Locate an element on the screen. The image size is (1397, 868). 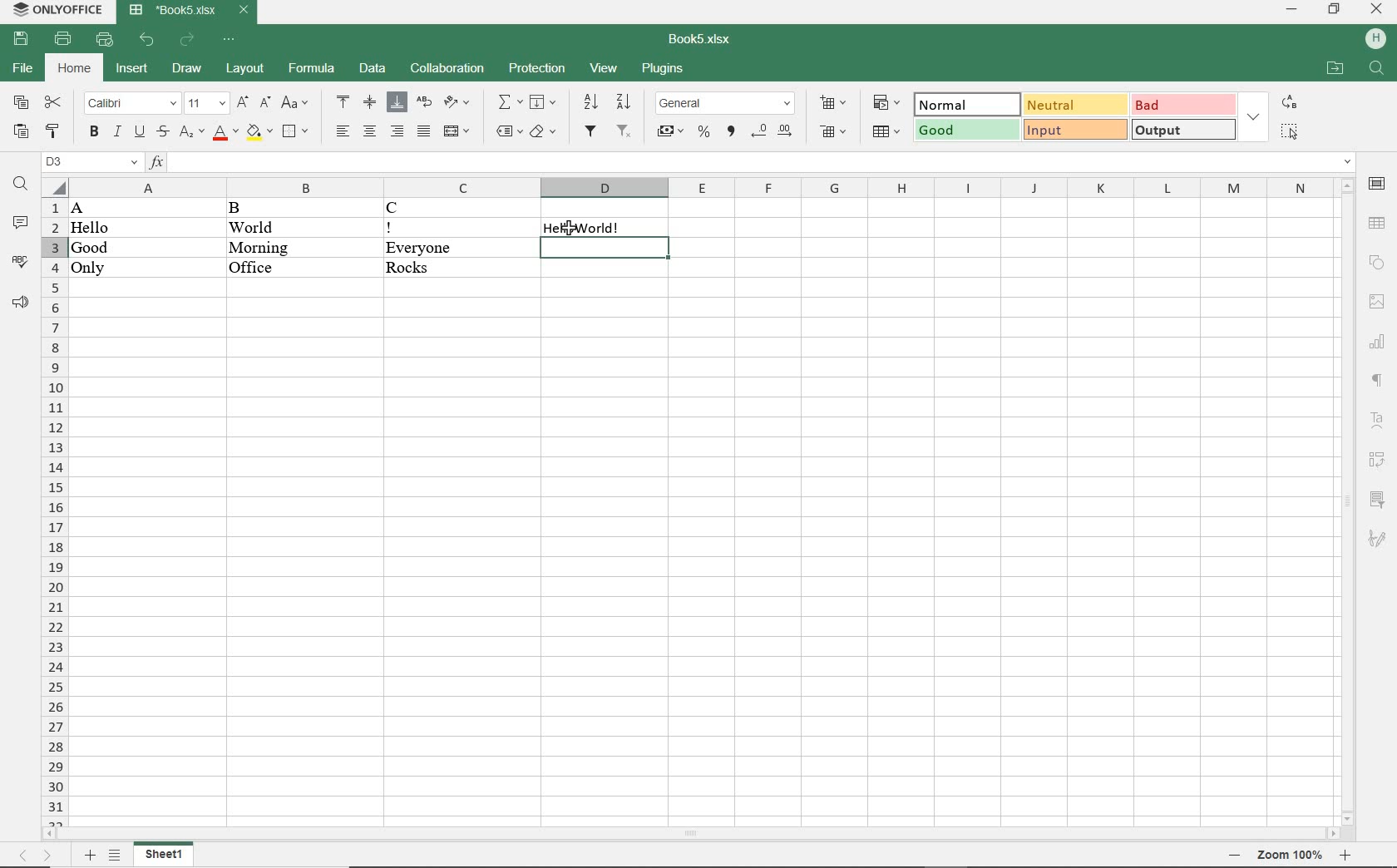
INSERT is located at coordinates (133, 67).